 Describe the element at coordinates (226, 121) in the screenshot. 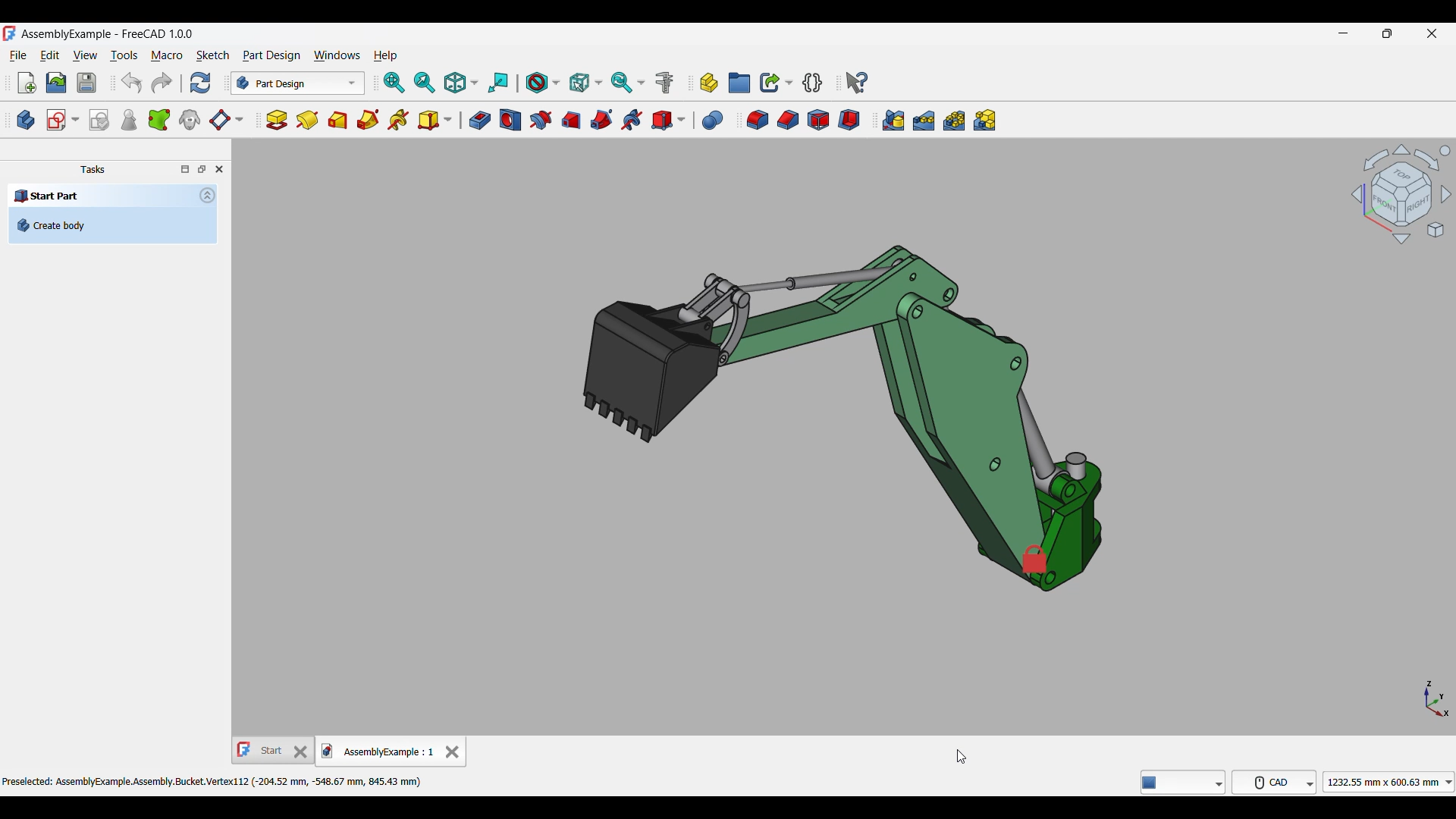

I see `Create a datum plane` at that location.